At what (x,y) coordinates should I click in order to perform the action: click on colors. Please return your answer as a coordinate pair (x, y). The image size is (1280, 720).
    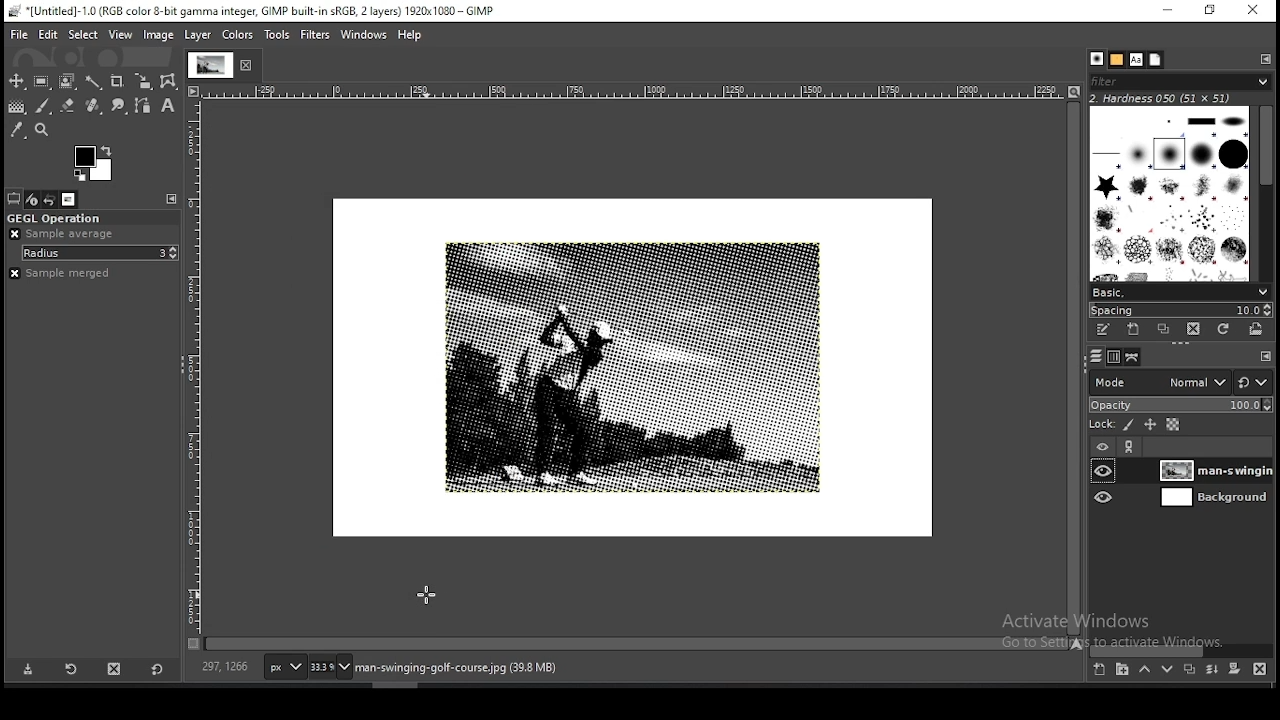
    Looking at the image, I should click on (93, 163).